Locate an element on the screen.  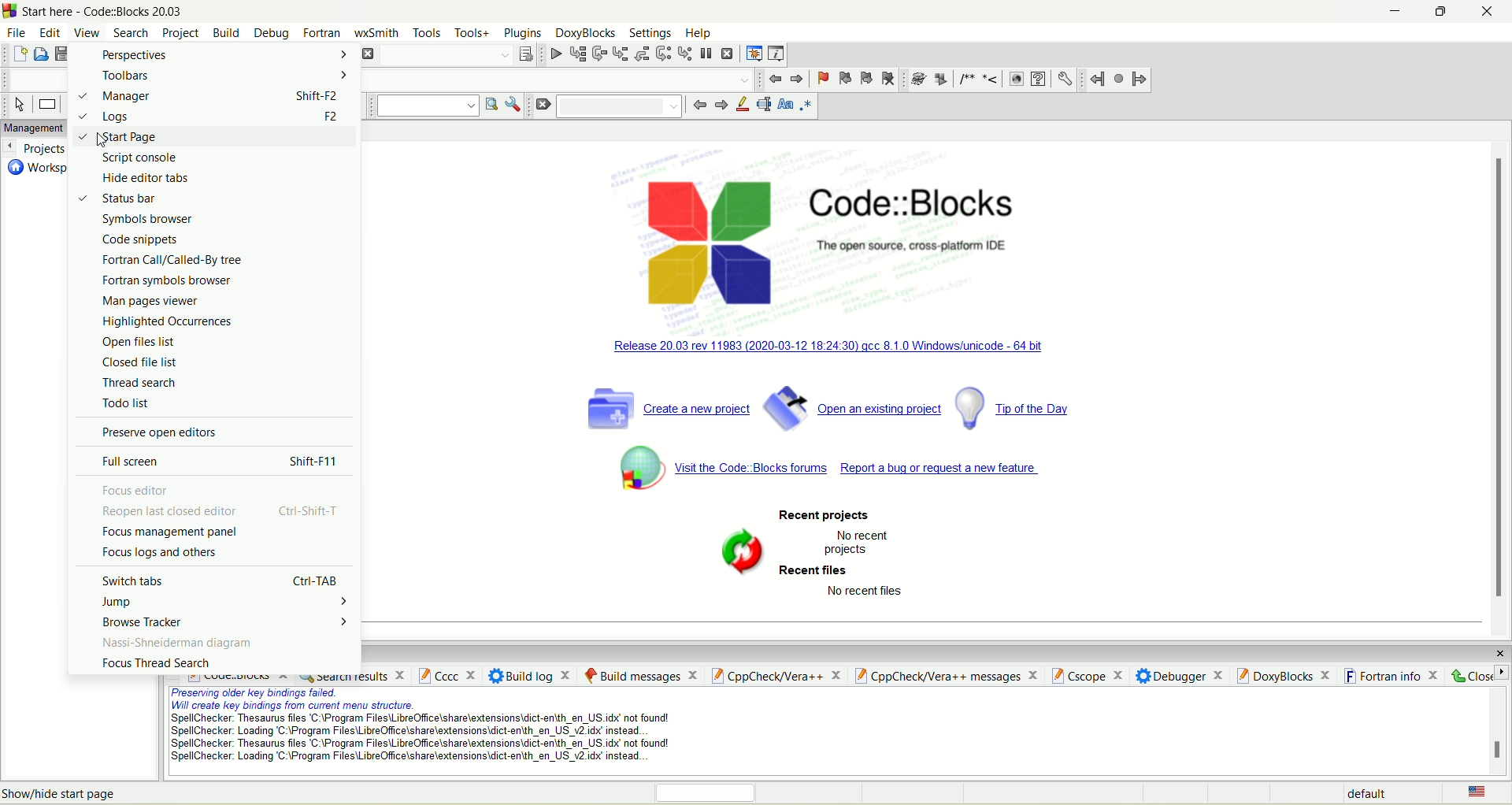
symbol is located at coordinates (629, 466).